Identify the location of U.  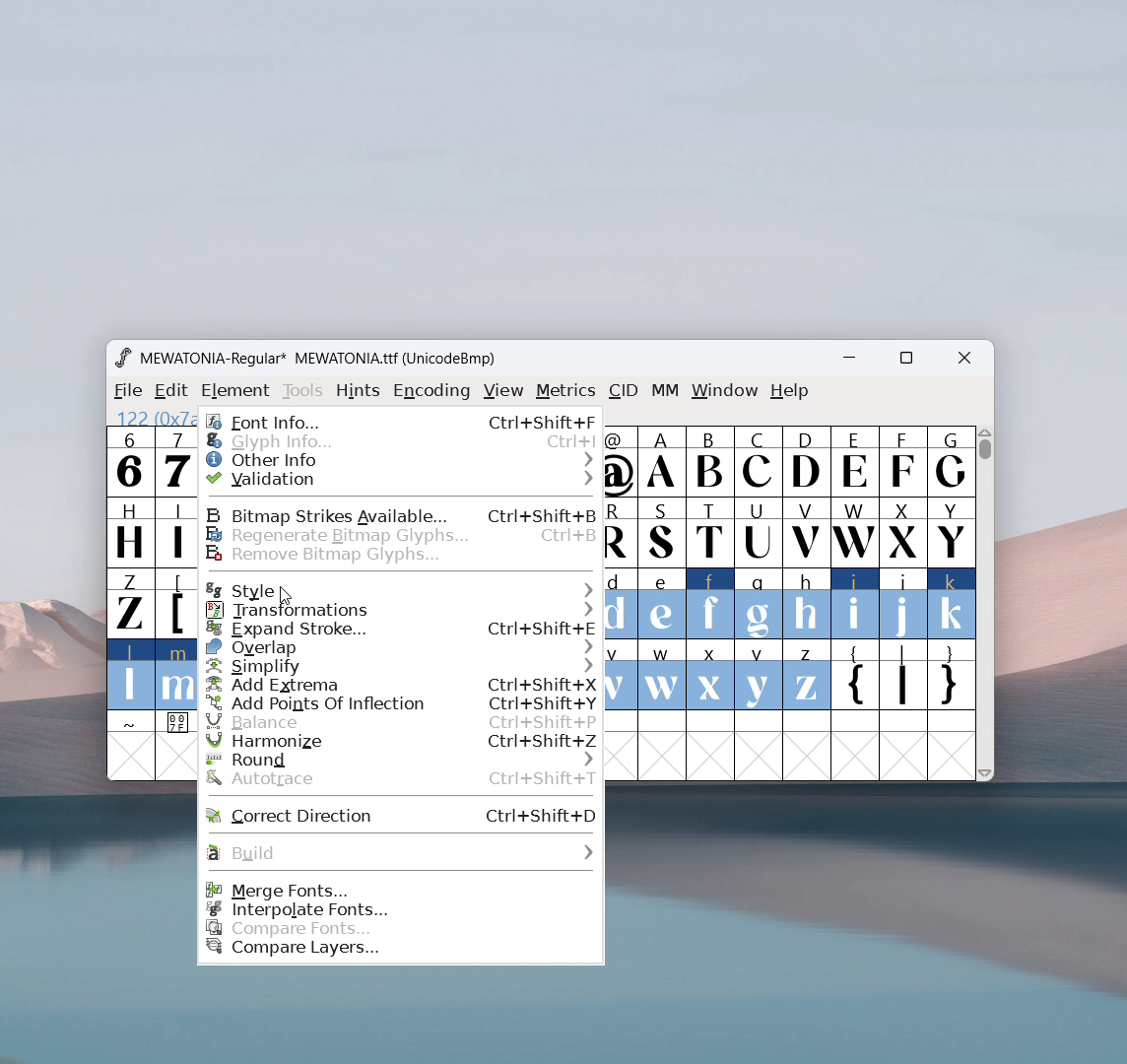
(759, 531).